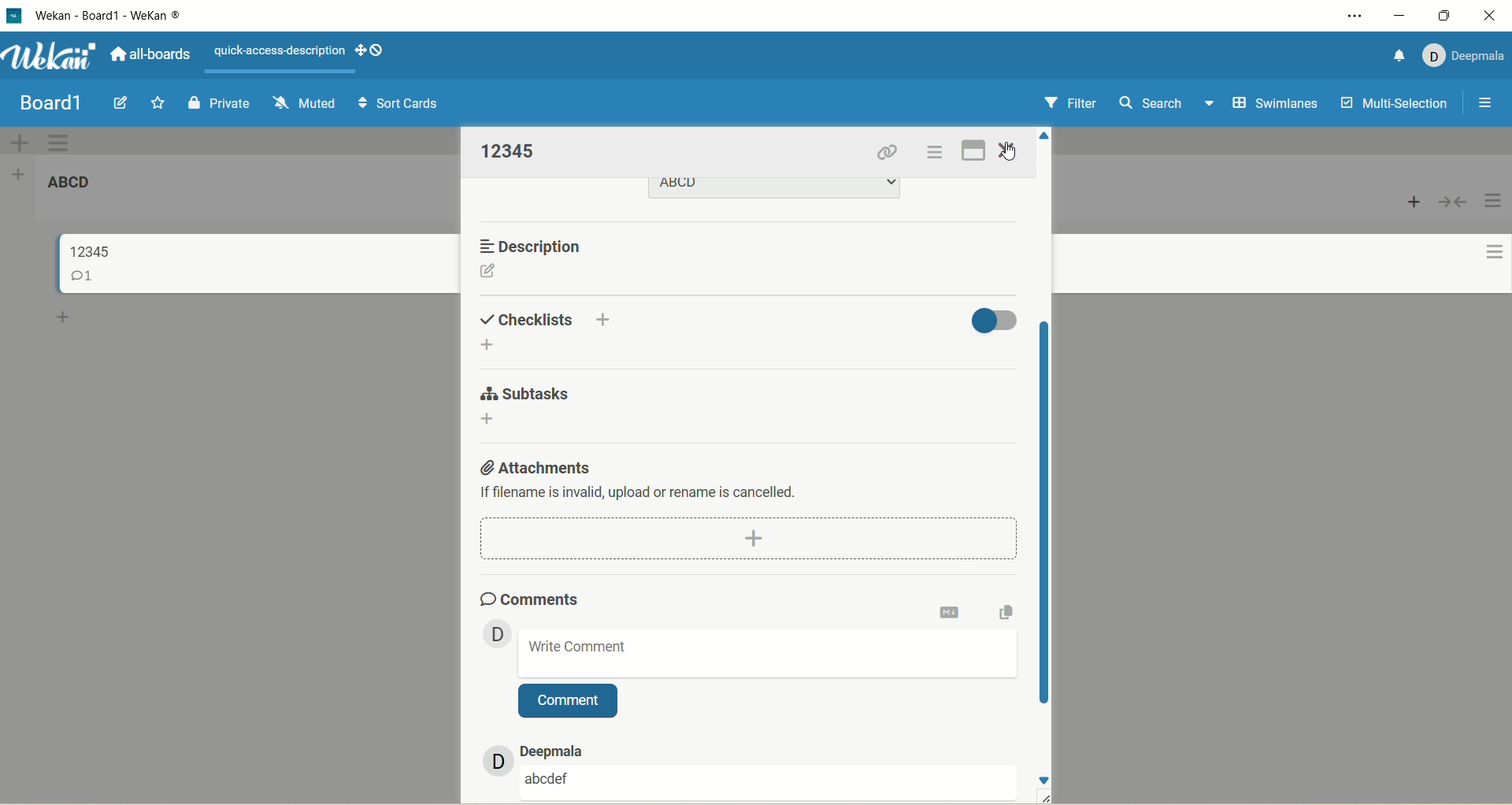 Image resolution: width=1512 pixels, height=805 pixels. Describe the element at coordinates (1488, 239) in the screenshot. I see `actions` at that location.